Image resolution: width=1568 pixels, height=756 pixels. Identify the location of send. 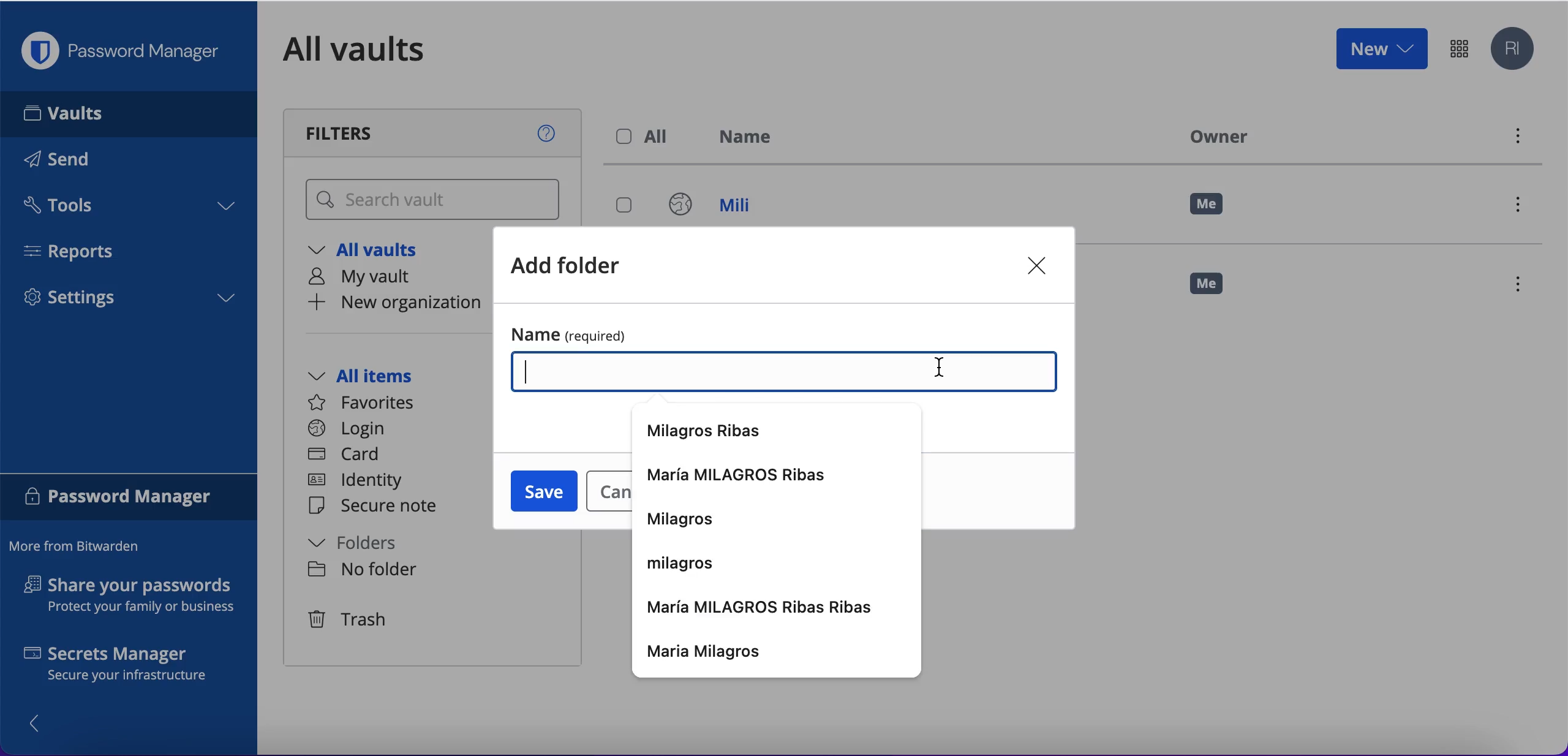
(75, 162).